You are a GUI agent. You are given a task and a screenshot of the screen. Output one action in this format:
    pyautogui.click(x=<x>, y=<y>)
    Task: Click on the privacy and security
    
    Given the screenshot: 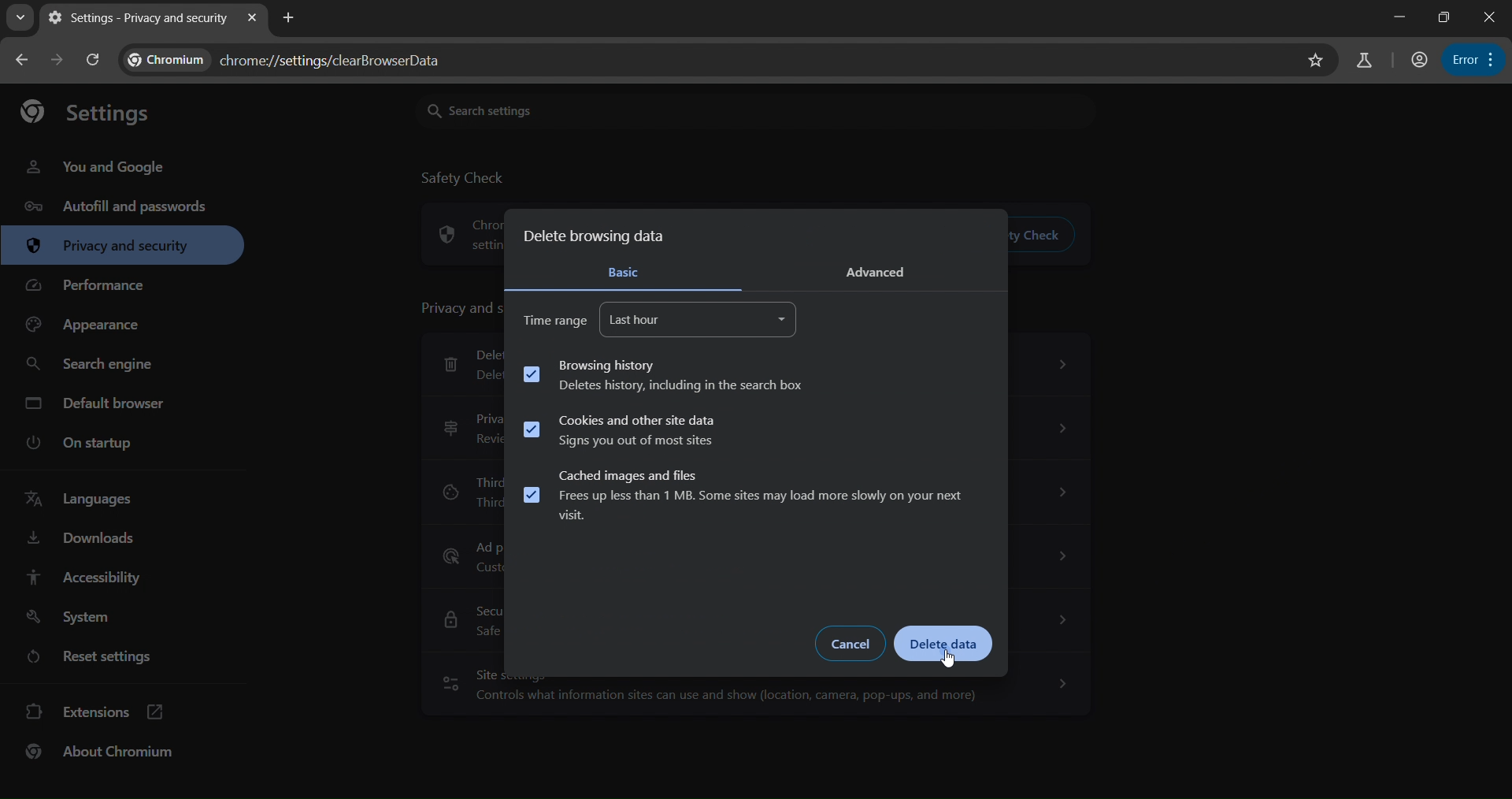 What is the action you would take?
    pyautogui.click(x=110, y=245)
    